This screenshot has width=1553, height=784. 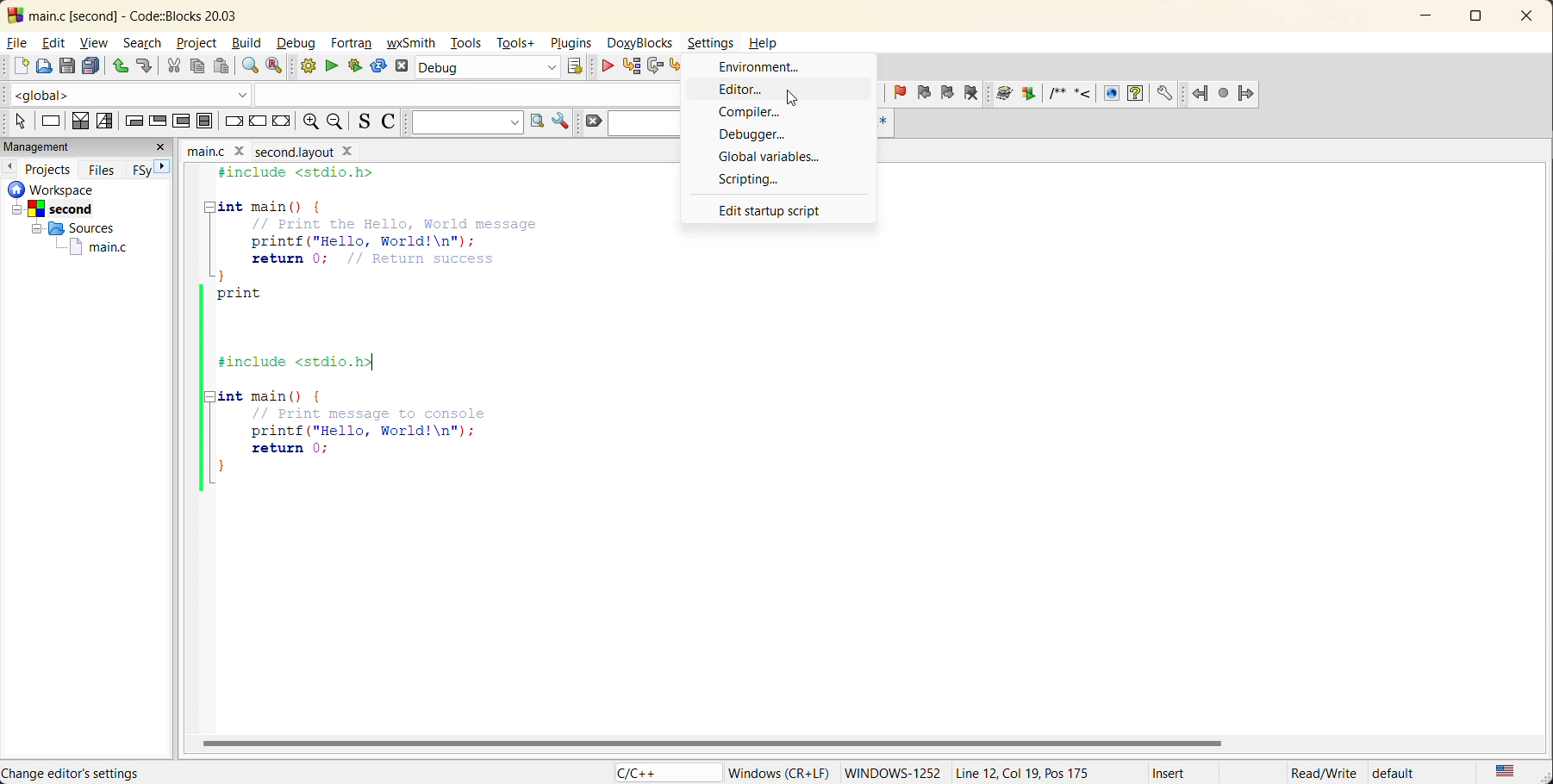 What do you see at coordinates (486, 66) in the screenshot?
I see `build target` at bounding box center [486, 66].